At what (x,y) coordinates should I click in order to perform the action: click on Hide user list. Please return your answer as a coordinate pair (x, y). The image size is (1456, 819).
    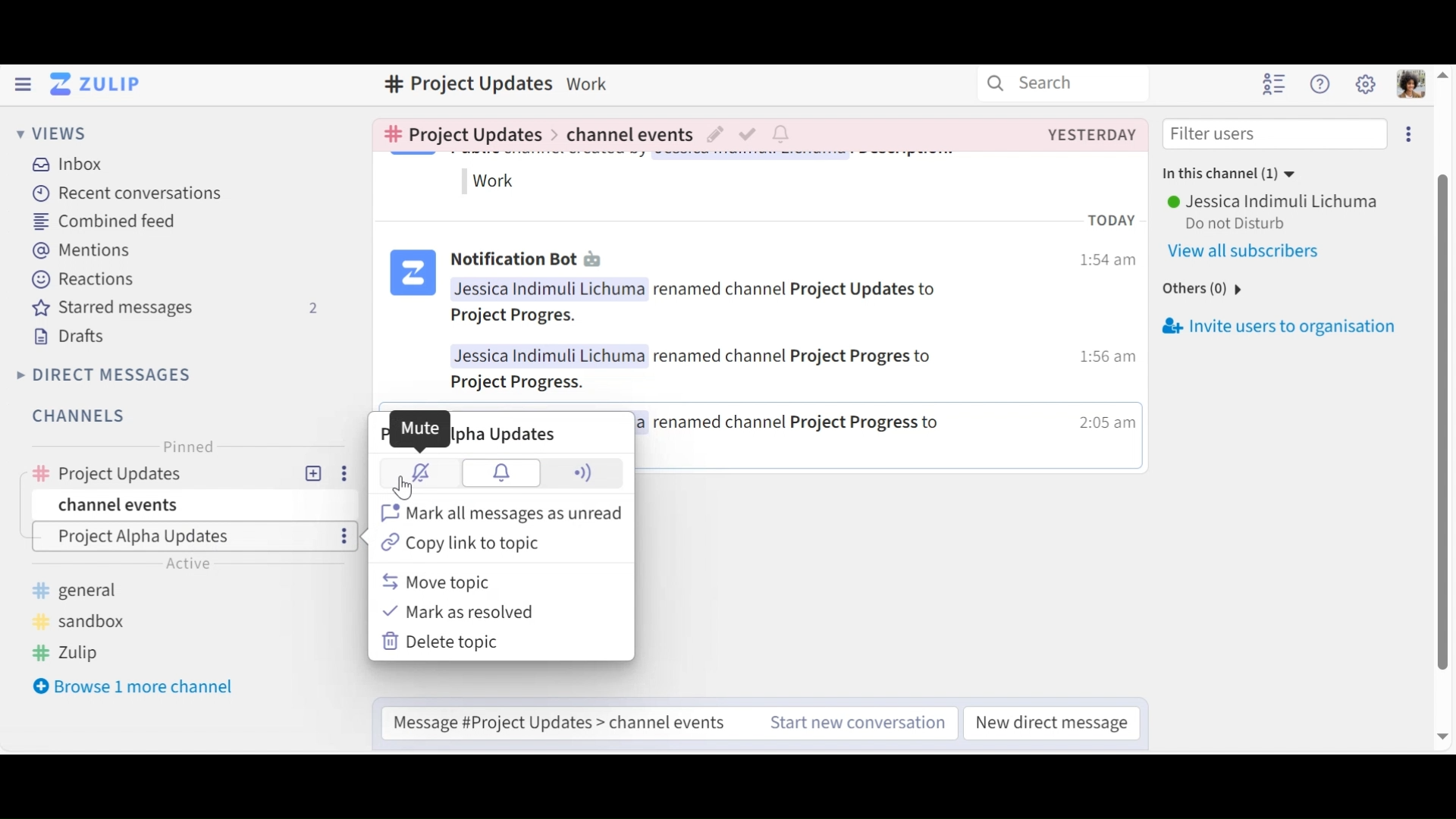
    Looking at the image, I should click on (1276, 83).